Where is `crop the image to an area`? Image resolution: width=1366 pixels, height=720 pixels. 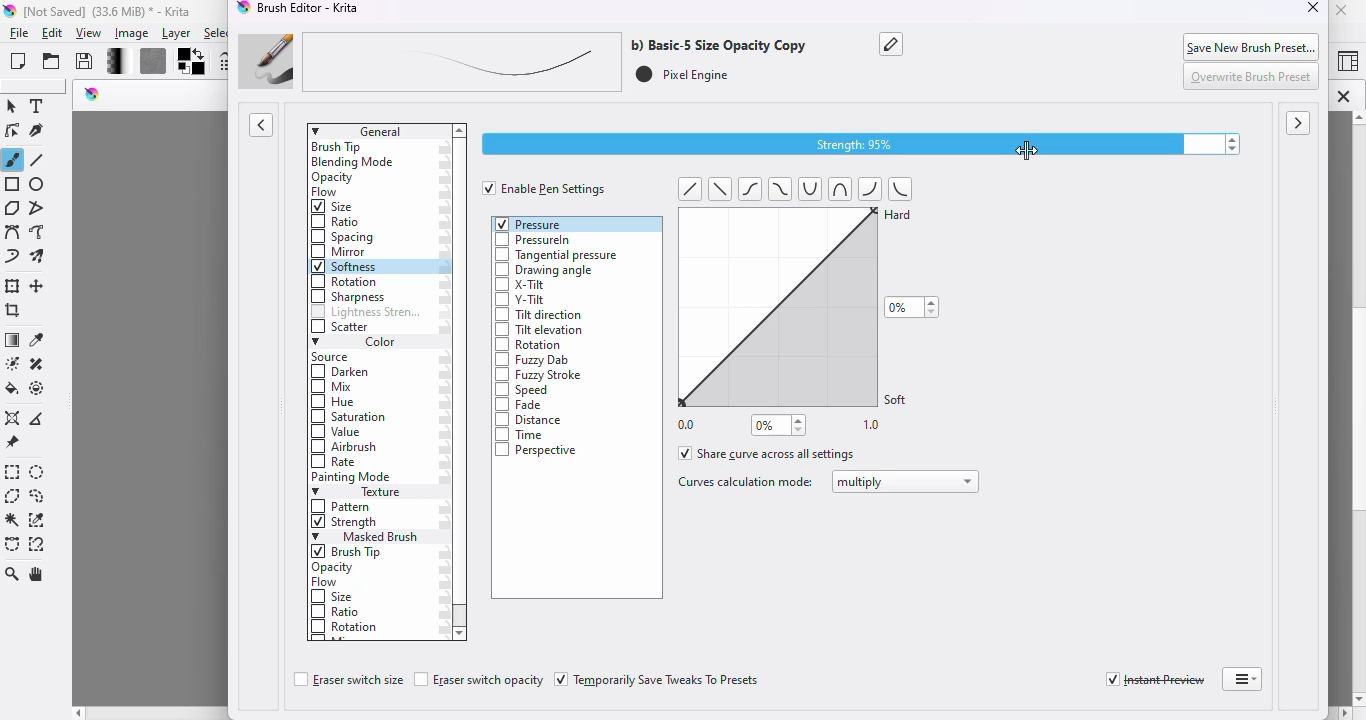 crop the image to an area is located at coordinates (12, 311).